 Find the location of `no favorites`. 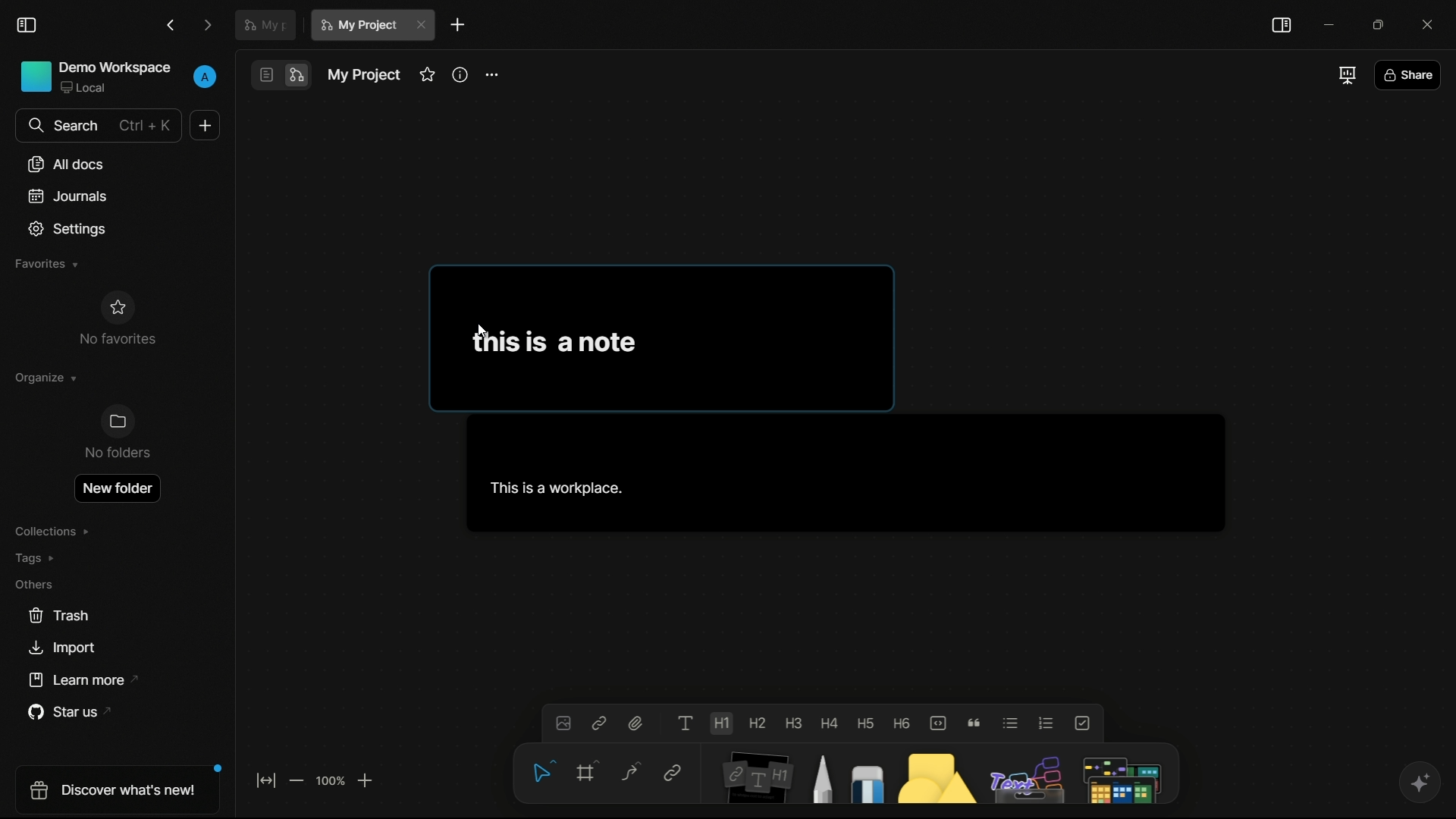

no favorites is located at coordinates (117, 319).